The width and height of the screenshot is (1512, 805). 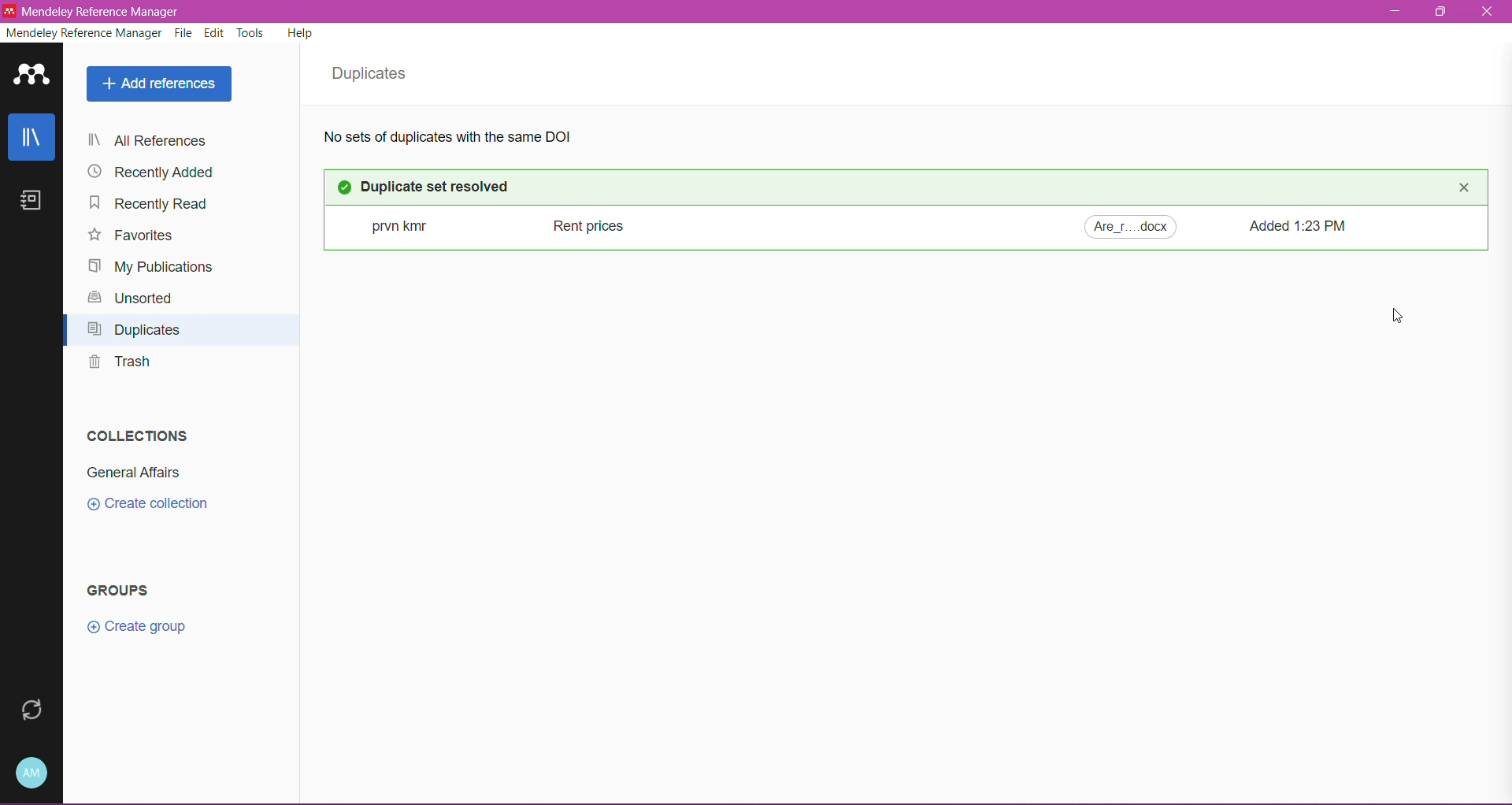 I want to click on Close, so click(x=1489, y=13).